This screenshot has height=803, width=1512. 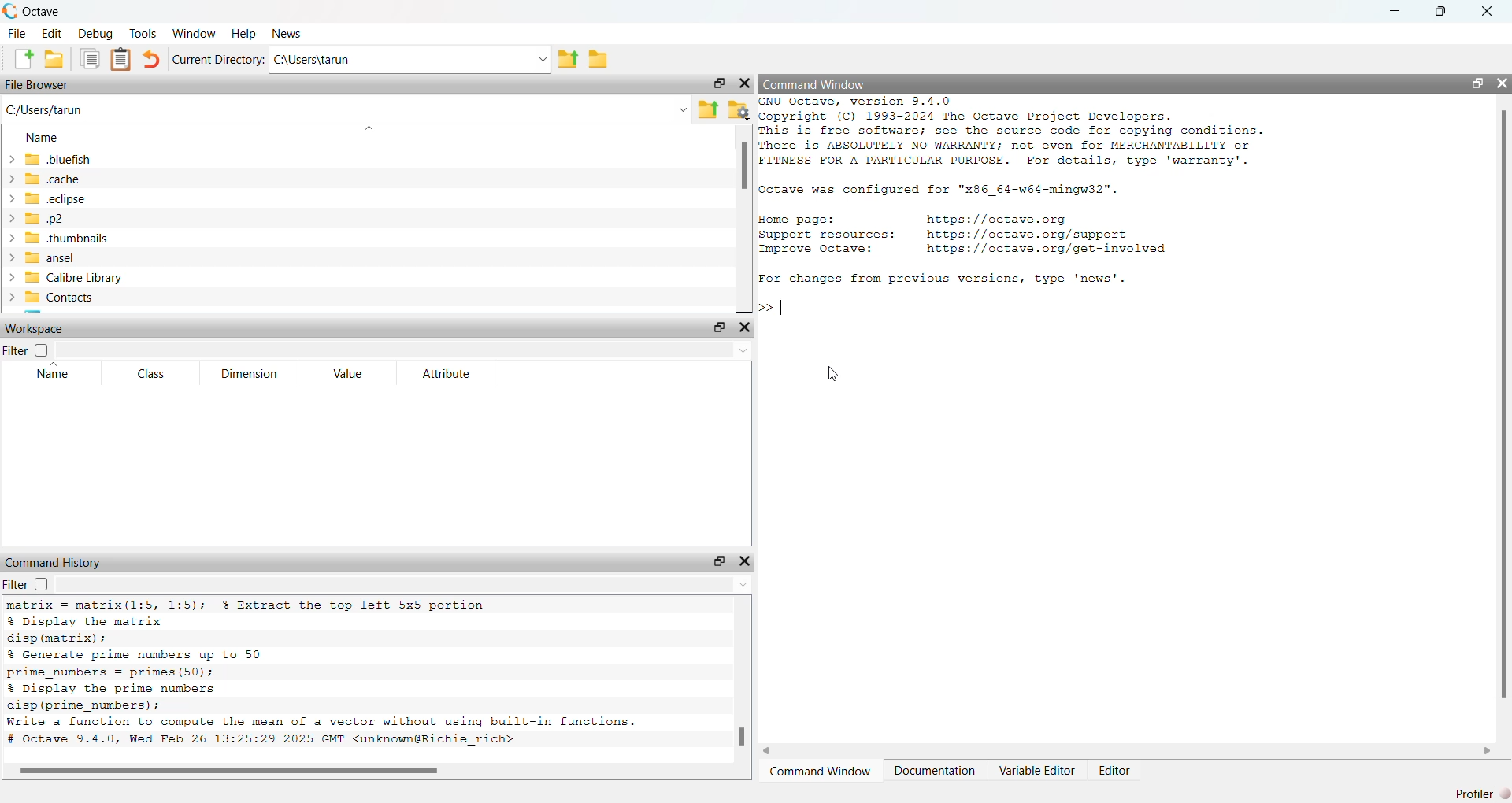 What do you see at coordinates (831, 373) in the screenshot?
I see `cursor` at bounding box center [831, 373].